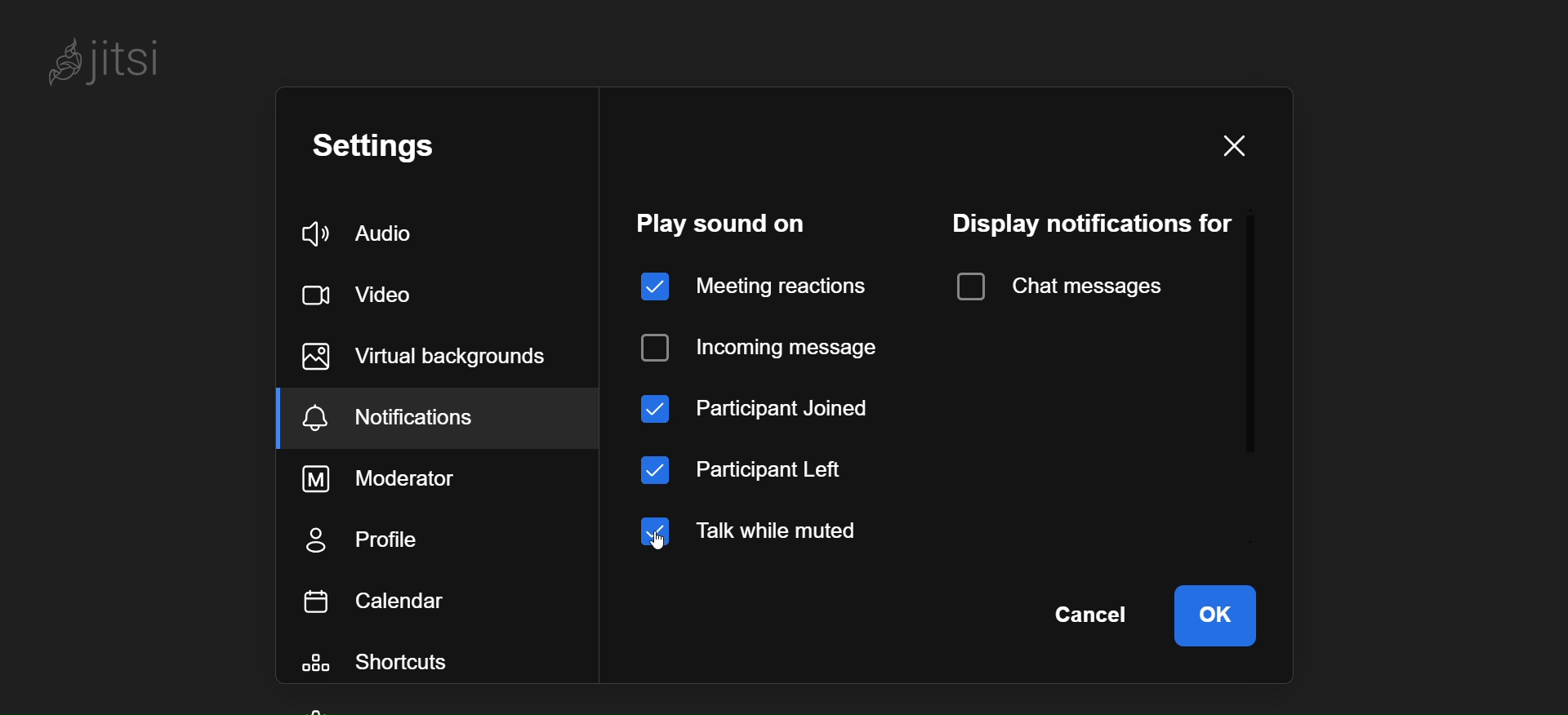 The image size is (1568, 715). Describe the element at coordinates (746, 282) in the screenshot. I see `meeting reaction` at that location.